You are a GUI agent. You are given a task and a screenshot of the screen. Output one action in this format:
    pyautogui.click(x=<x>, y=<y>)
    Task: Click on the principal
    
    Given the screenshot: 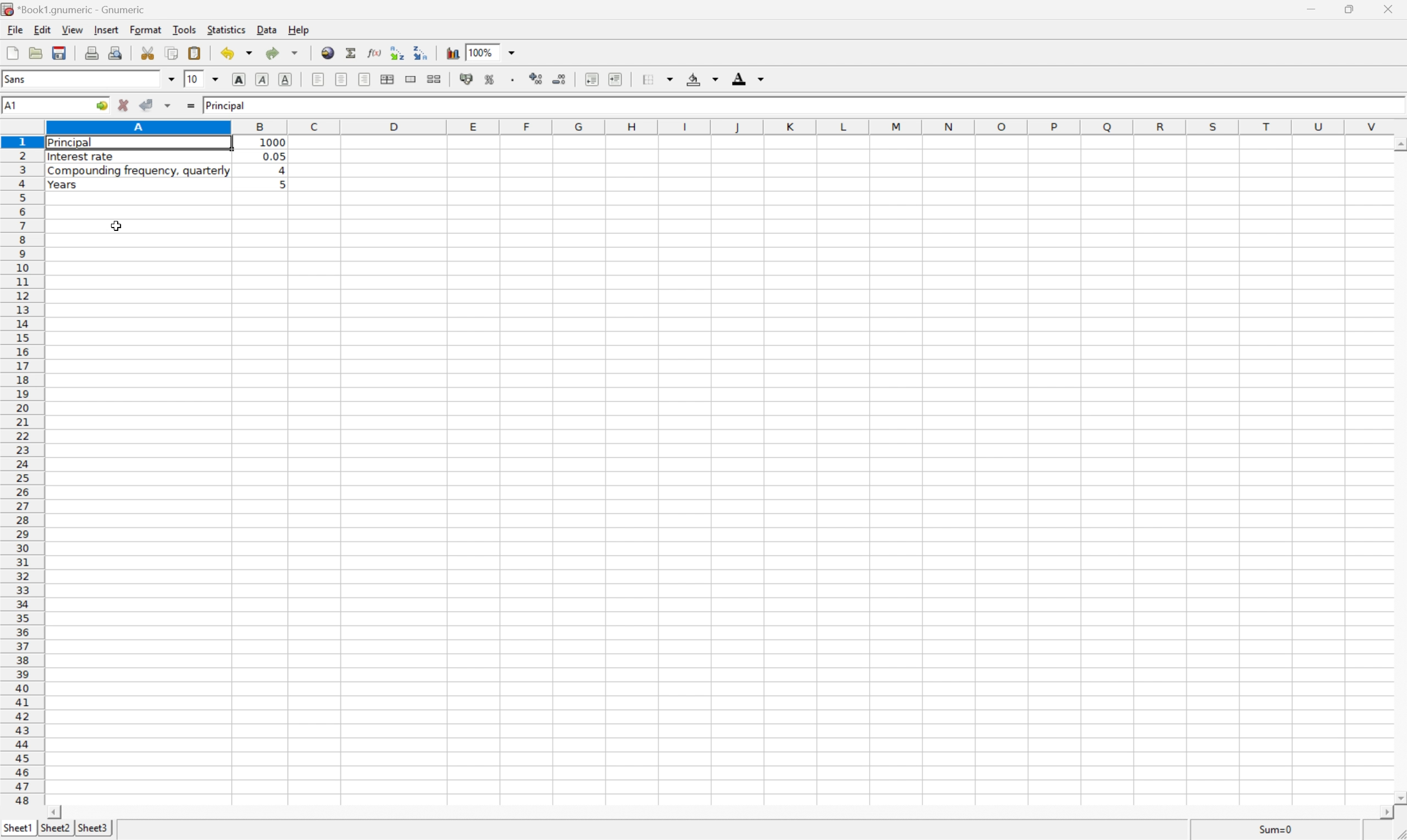 What is the action you would take?
    pyautogui.click(x=74, y=144)
    